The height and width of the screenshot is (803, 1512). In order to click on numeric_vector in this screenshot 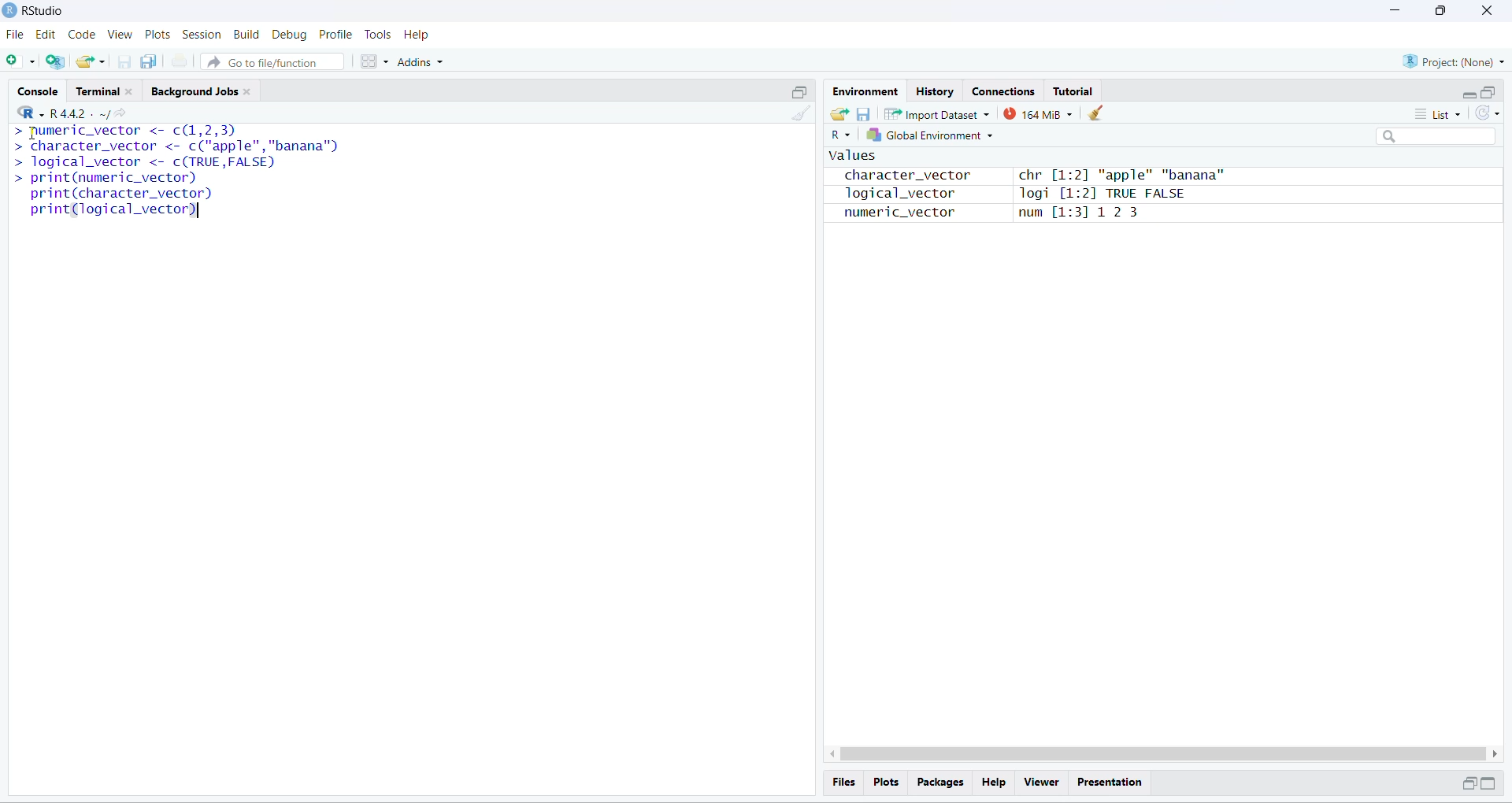, I will do `click(890, 213)`.